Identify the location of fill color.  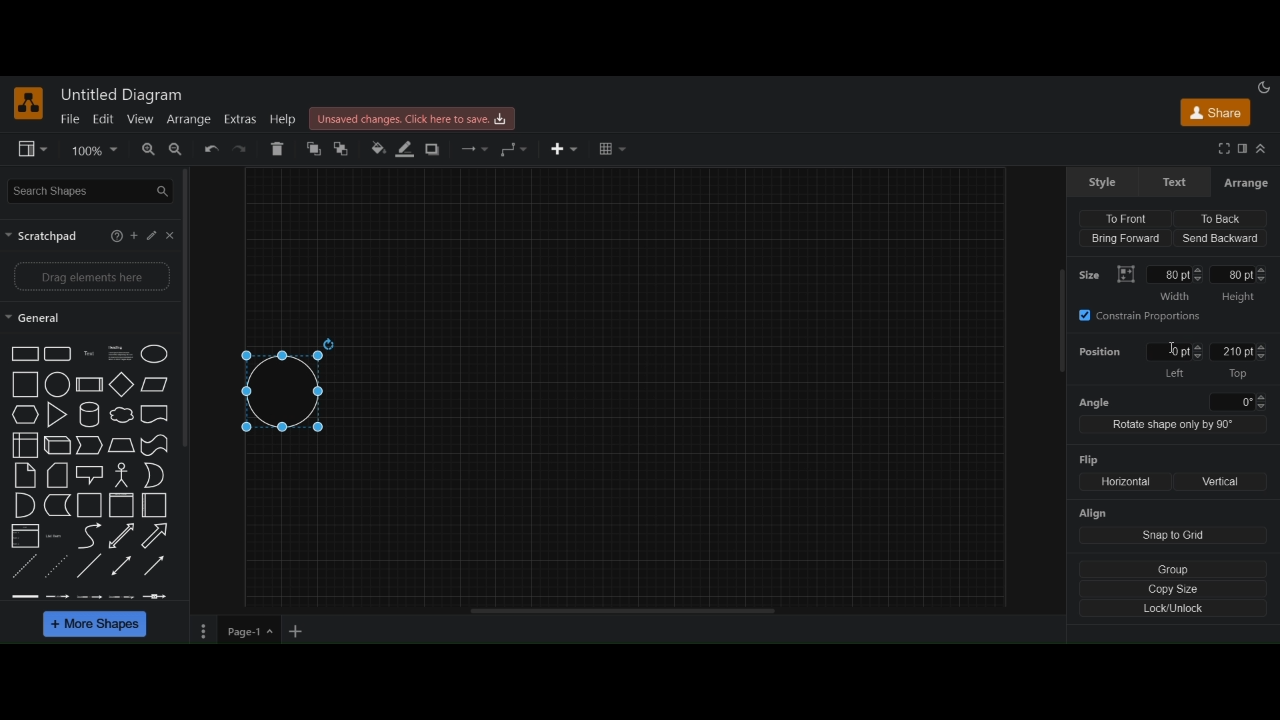
(378, 148).